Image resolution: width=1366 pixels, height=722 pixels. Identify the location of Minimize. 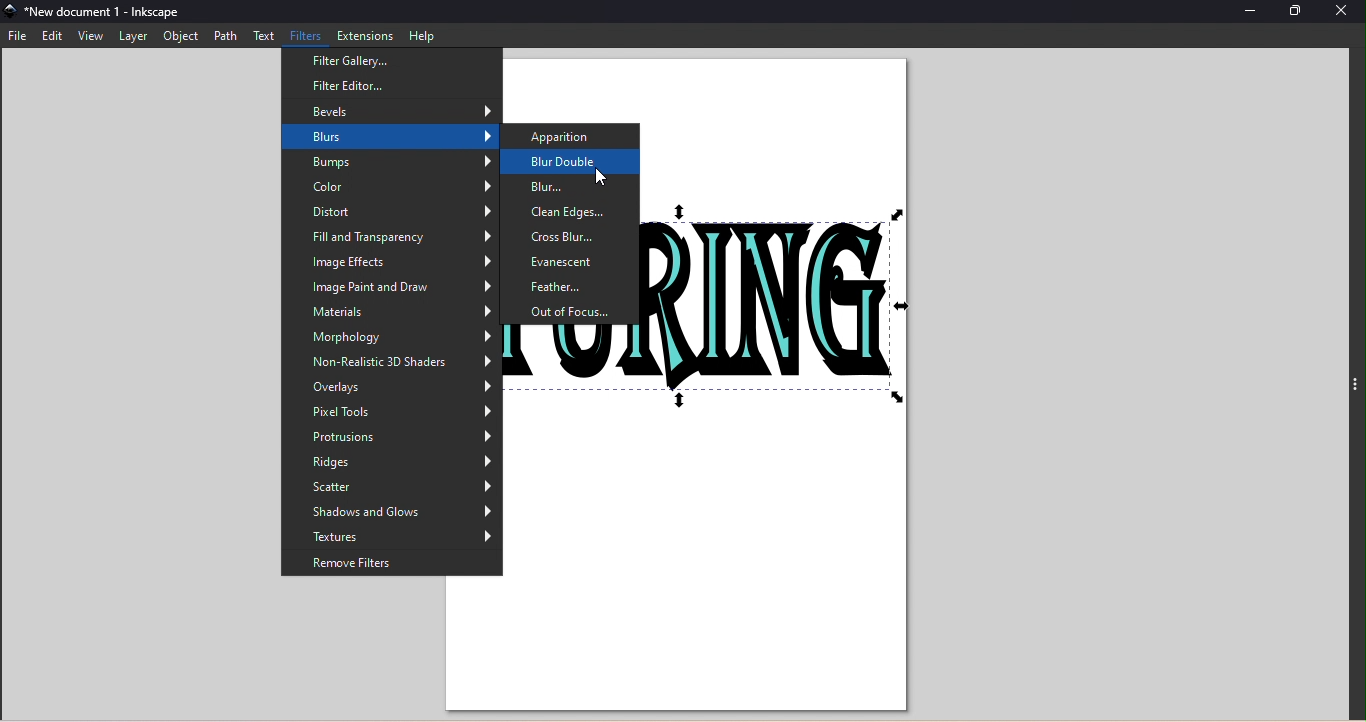
(1253, 13).